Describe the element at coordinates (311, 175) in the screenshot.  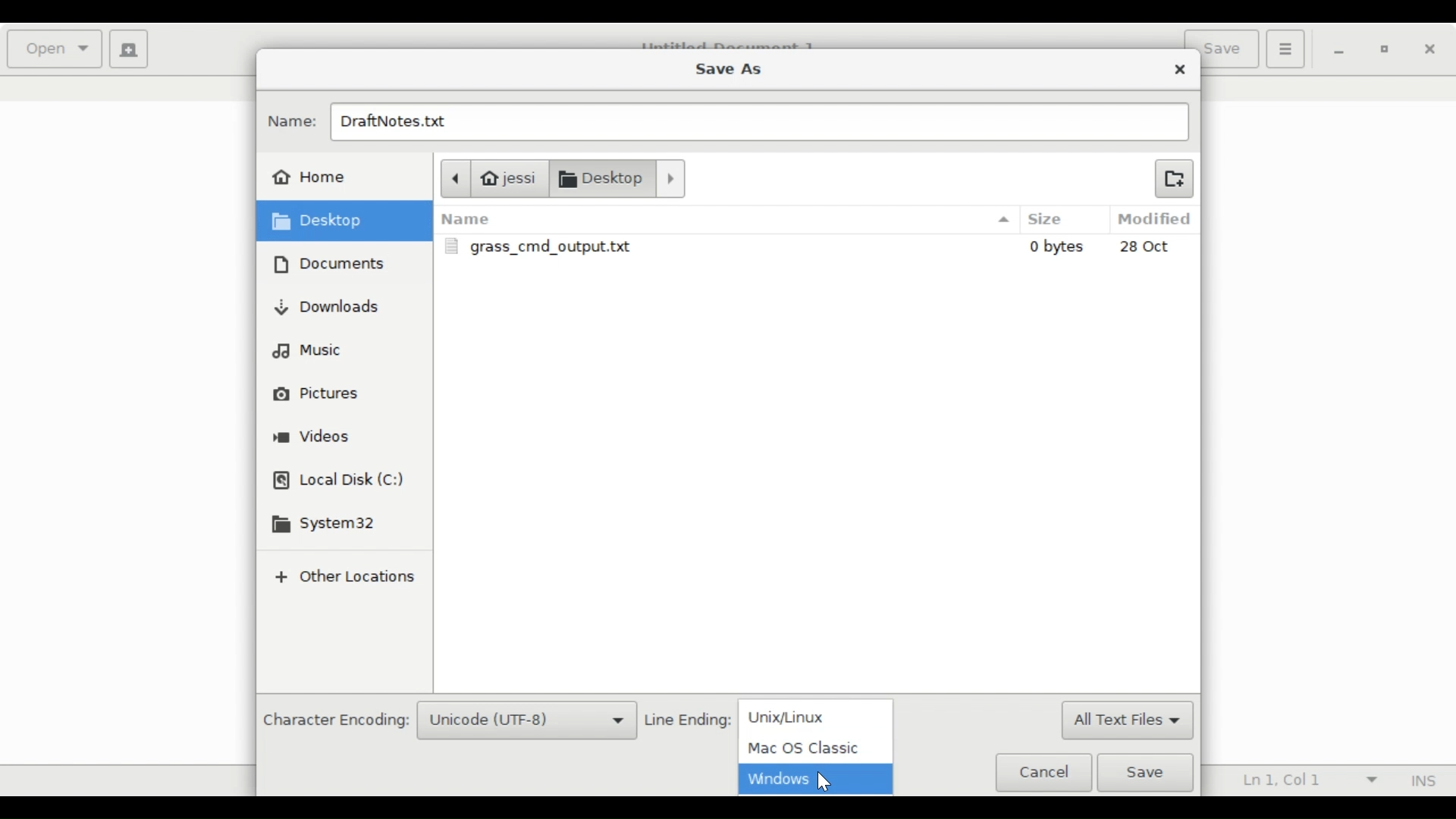
I see `Home` at that location.